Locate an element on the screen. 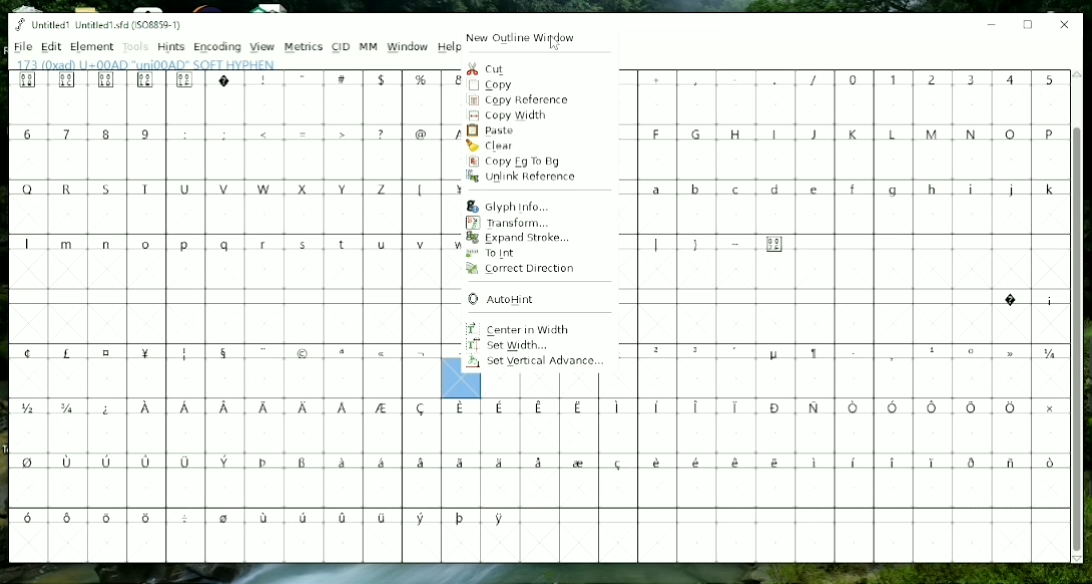  New Outline Window is located at coordinates (524, 35).